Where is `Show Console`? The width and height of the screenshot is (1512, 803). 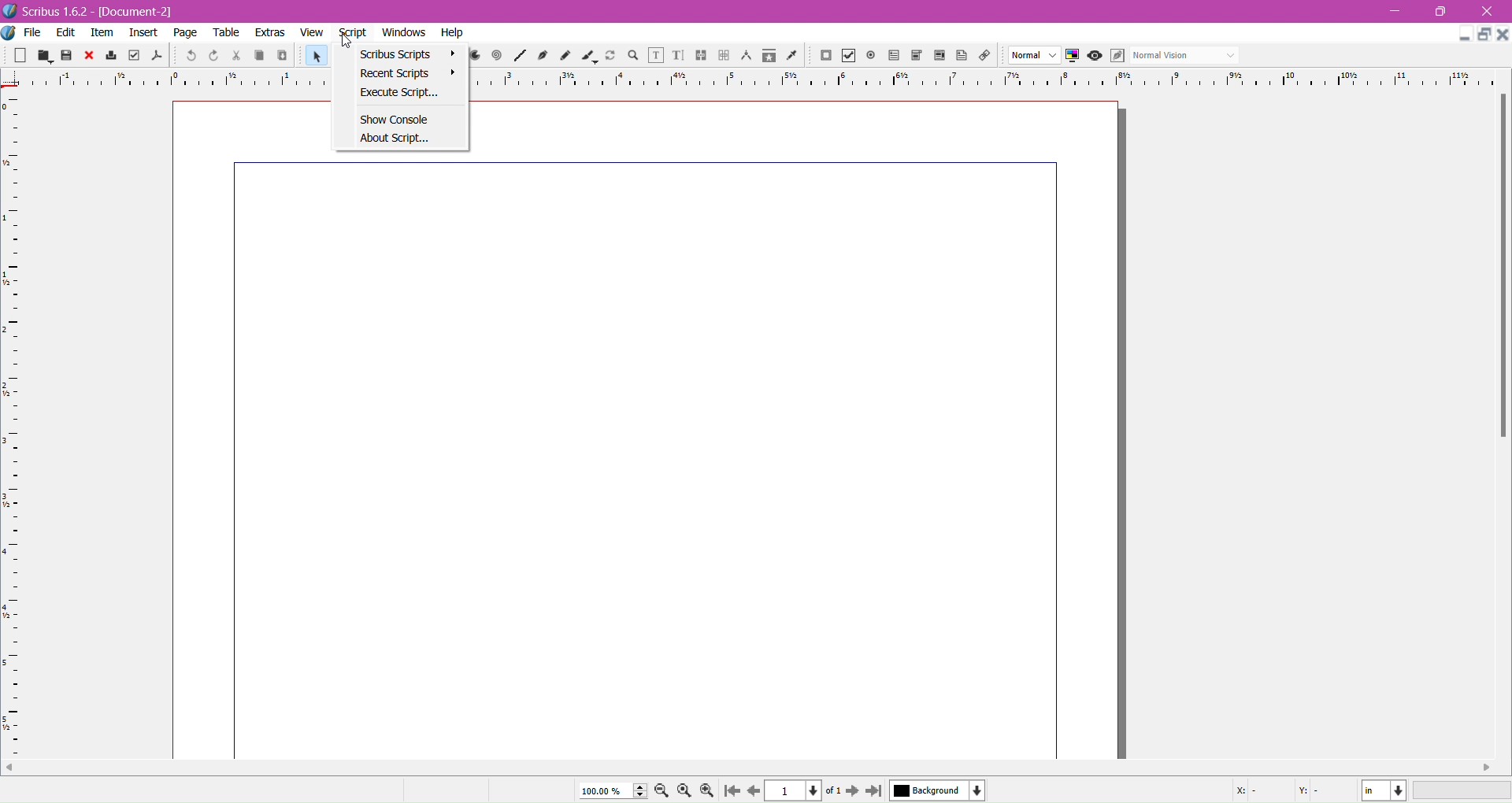
Show Console is located at coordinates (398, 119).